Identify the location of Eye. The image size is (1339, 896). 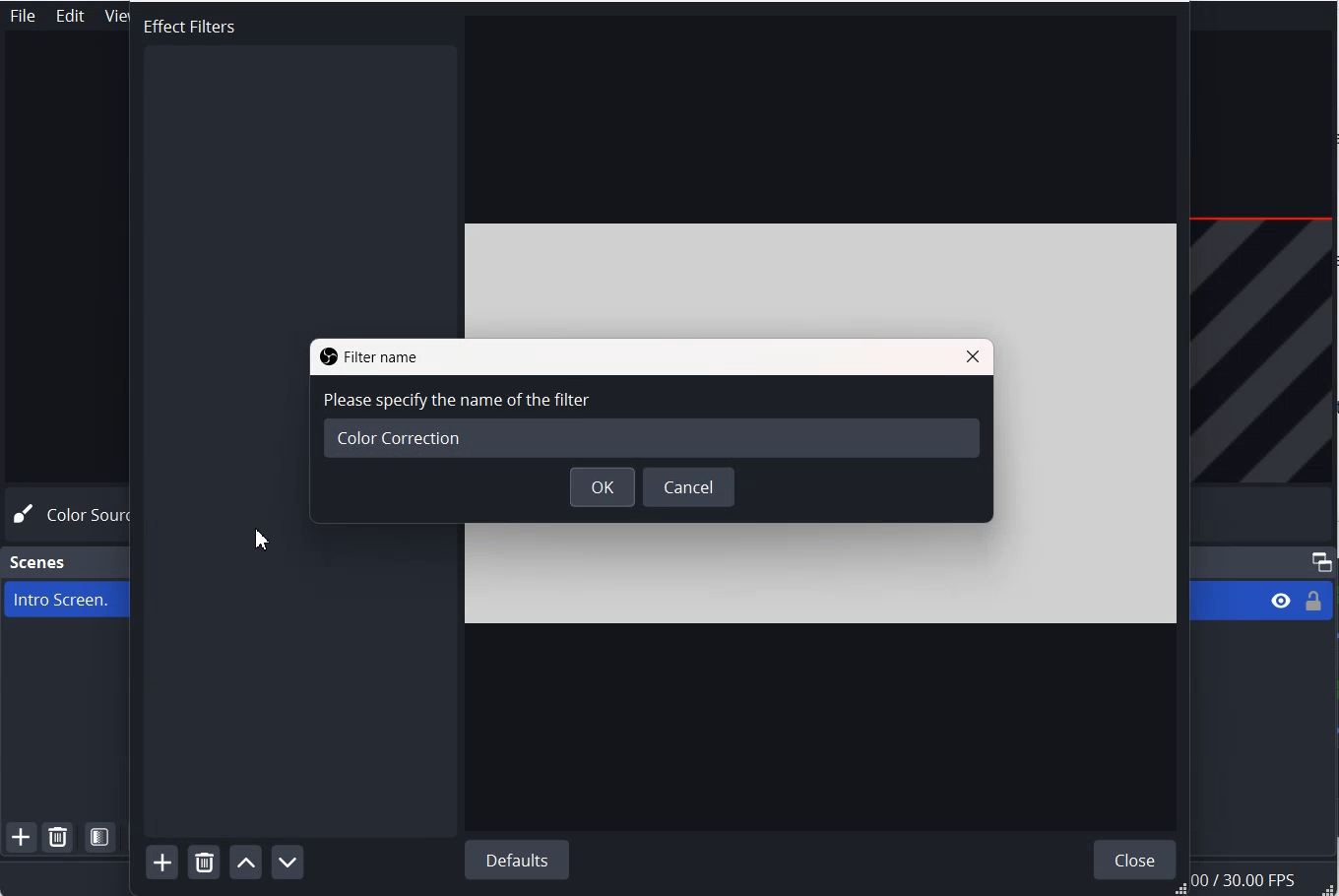
(1281, 601).